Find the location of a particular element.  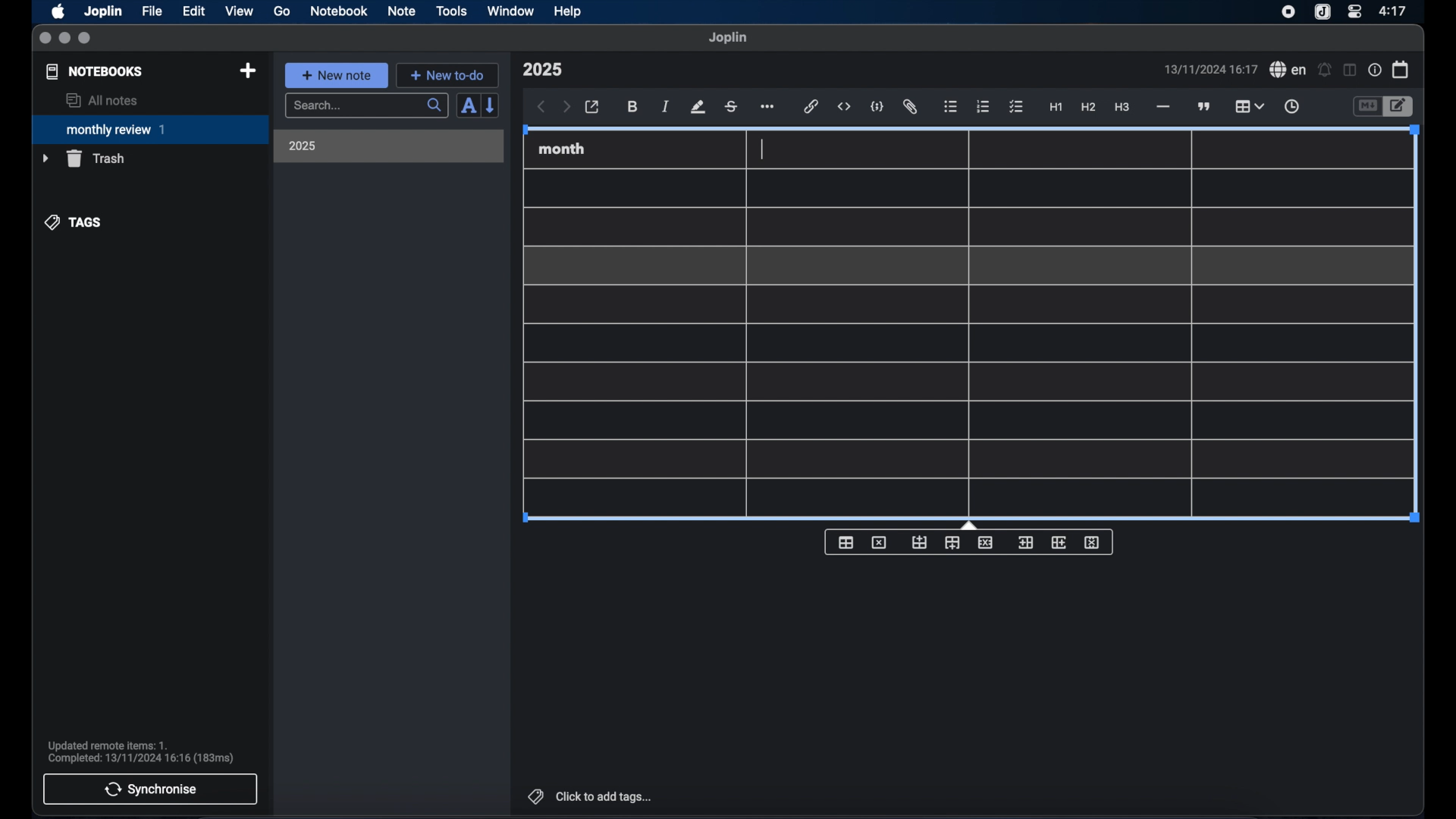

delete row is located at coordinates (987, 541).